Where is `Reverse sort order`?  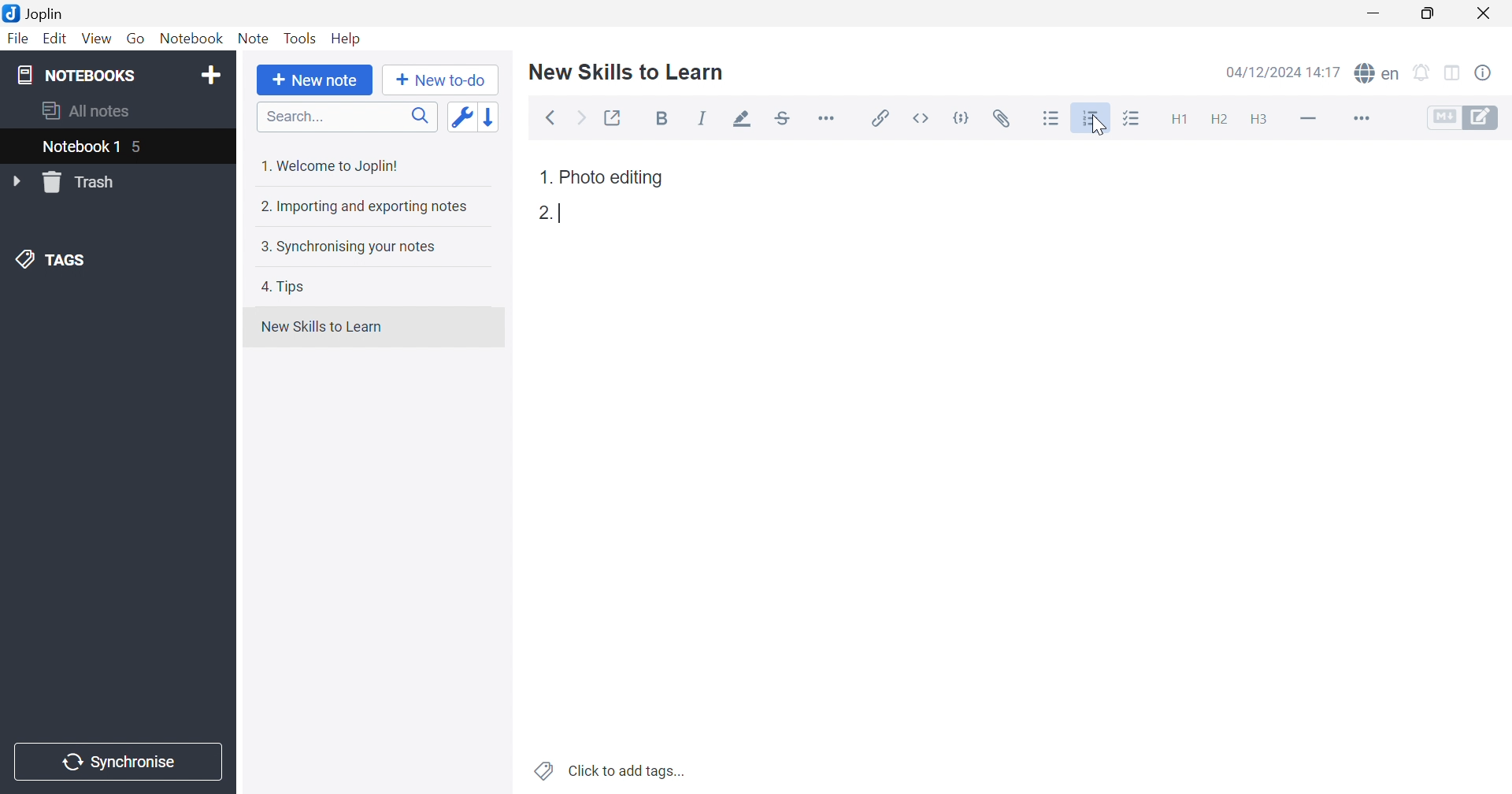 Reverse sort order is located at coordinates (492, 117).